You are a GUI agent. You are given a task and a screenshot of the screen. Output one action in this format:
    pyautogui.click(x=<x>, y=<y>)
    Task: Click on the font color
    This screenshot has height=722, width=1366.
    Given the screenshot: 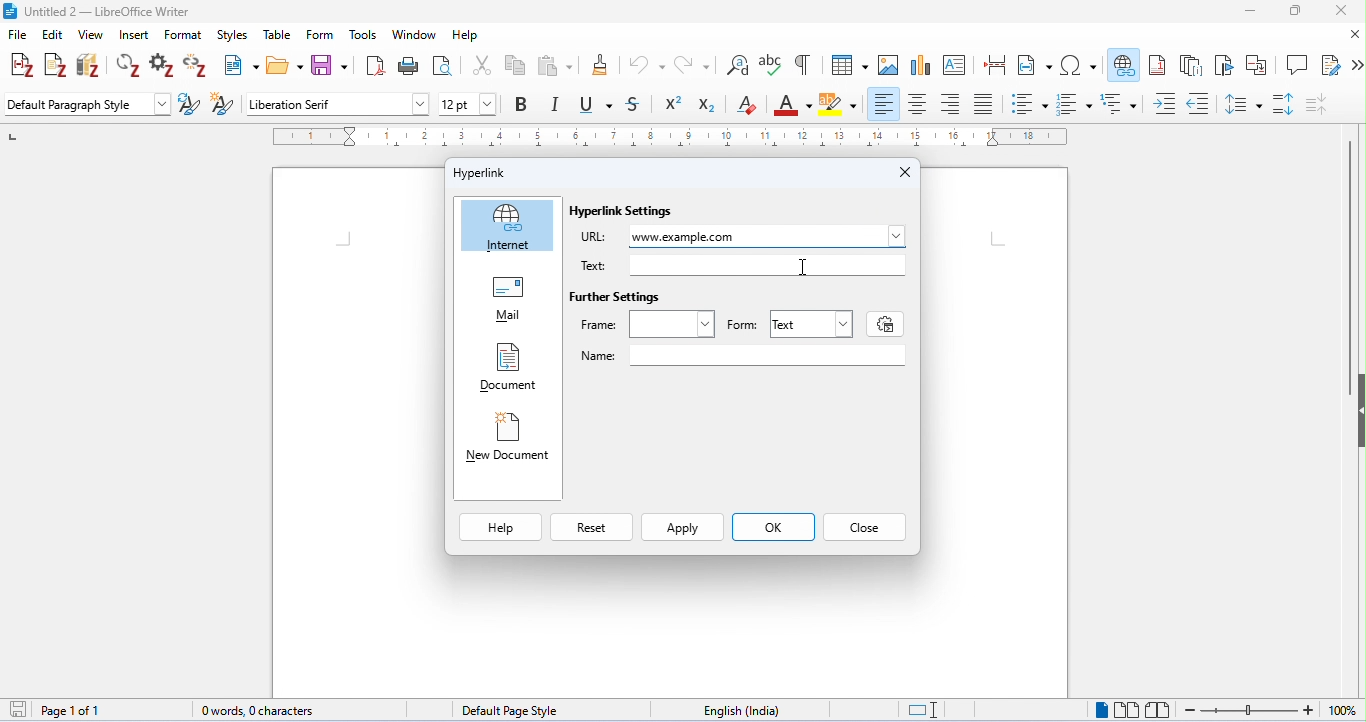 What is the action you would take?
    pyautogui.click(x=793, y=106)
    